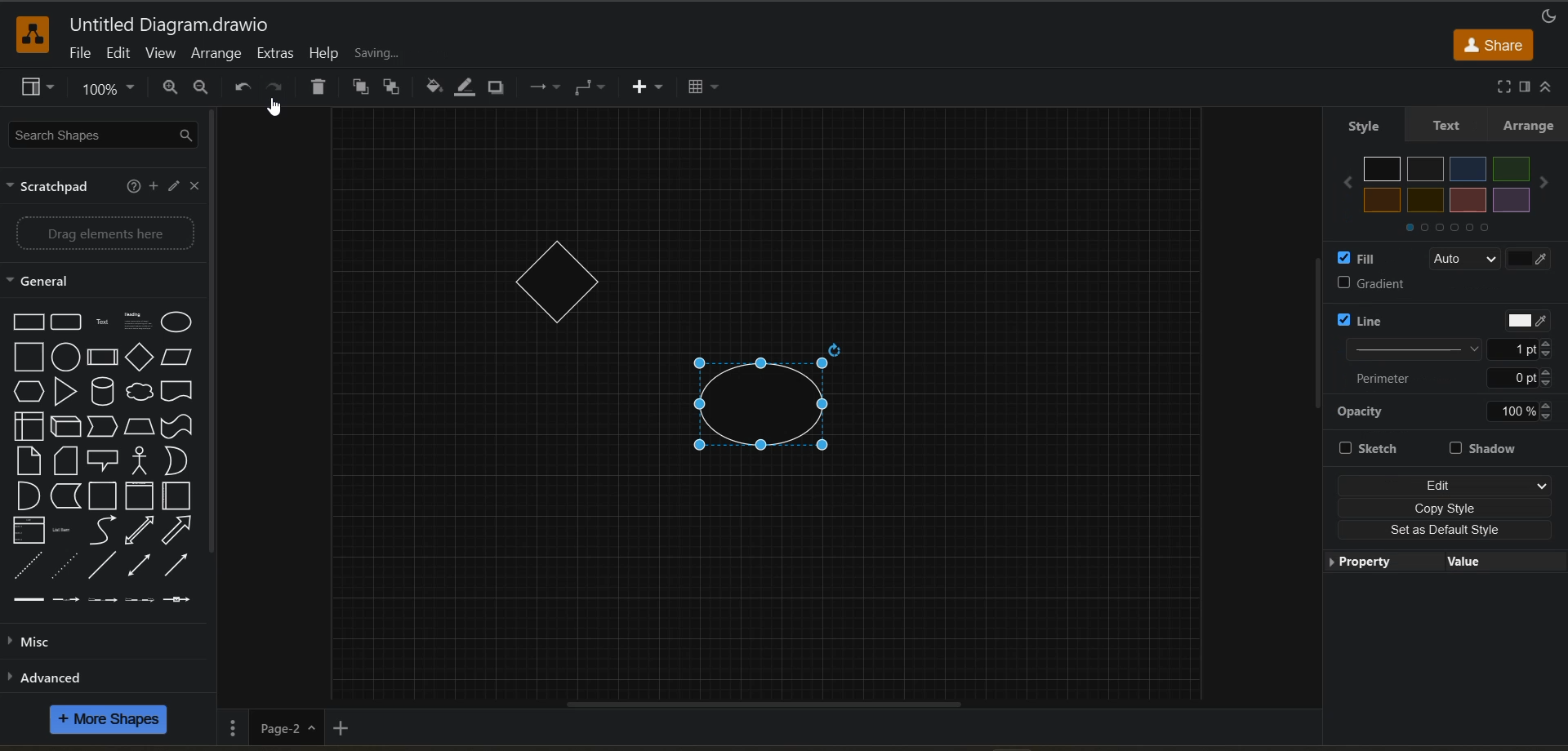  What do you see at coordinates (327, 54) in the screenshot?
I see `help` at bounding box center [327, 54].